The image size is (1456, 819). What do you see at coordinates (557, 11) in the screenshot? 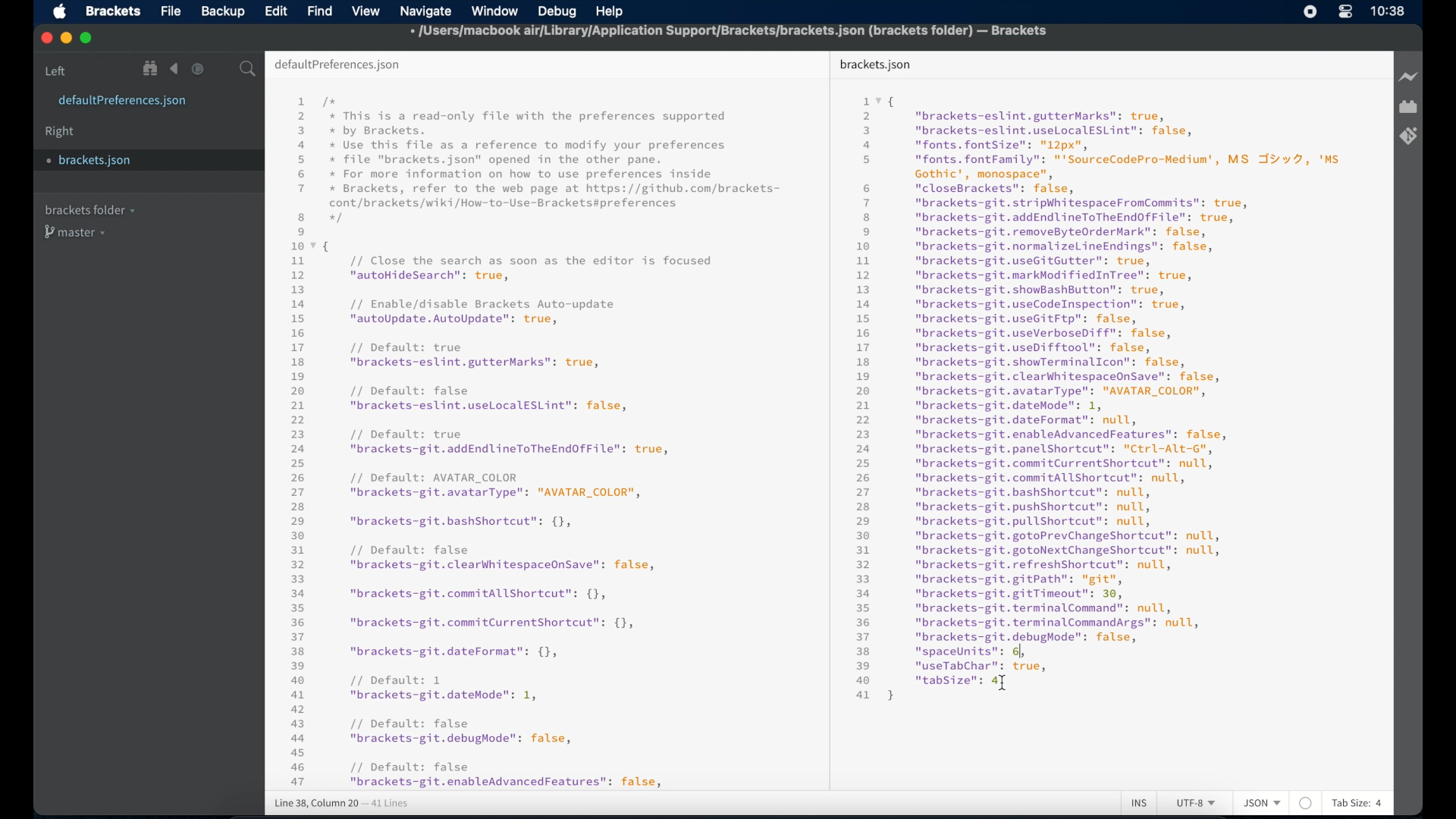
I see `debug` at bounding box center [557, 11].